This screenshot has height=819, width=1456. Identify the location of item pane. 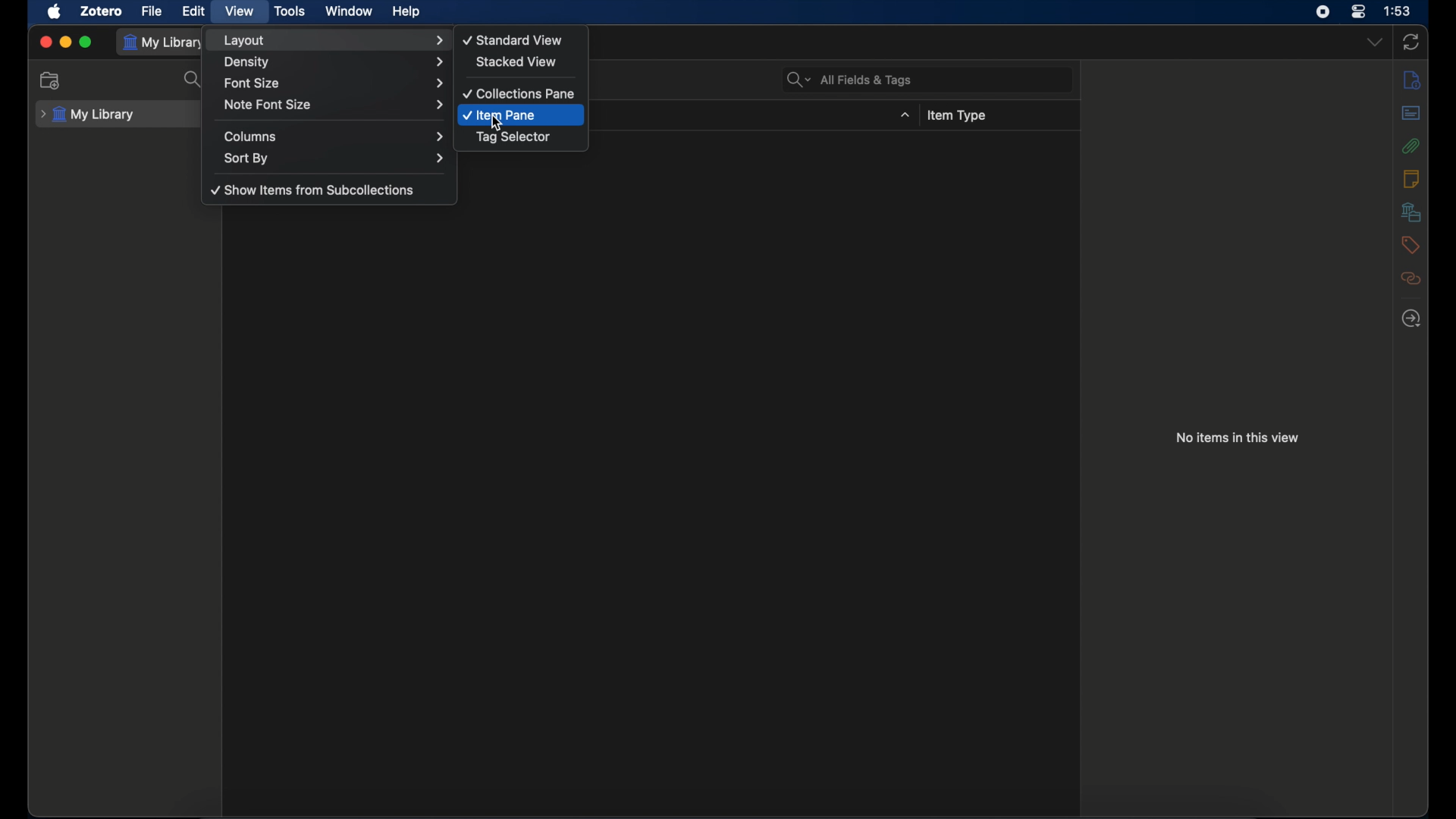
(500, 115).